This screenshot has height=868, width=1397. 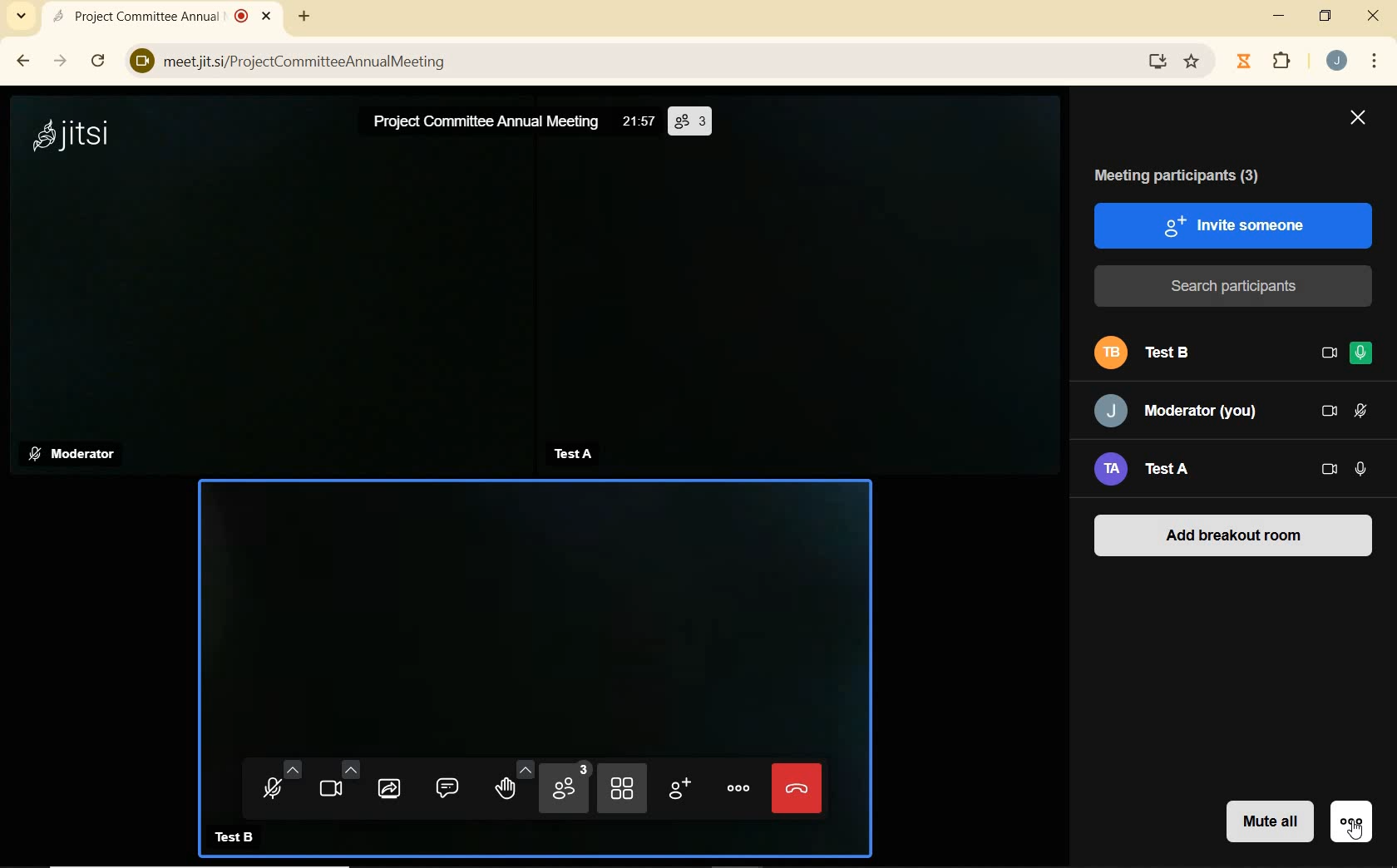 What do you see at coordinates (801, 304) in the screenshot?
I see `test a camera` at bounding box center [801, 304].